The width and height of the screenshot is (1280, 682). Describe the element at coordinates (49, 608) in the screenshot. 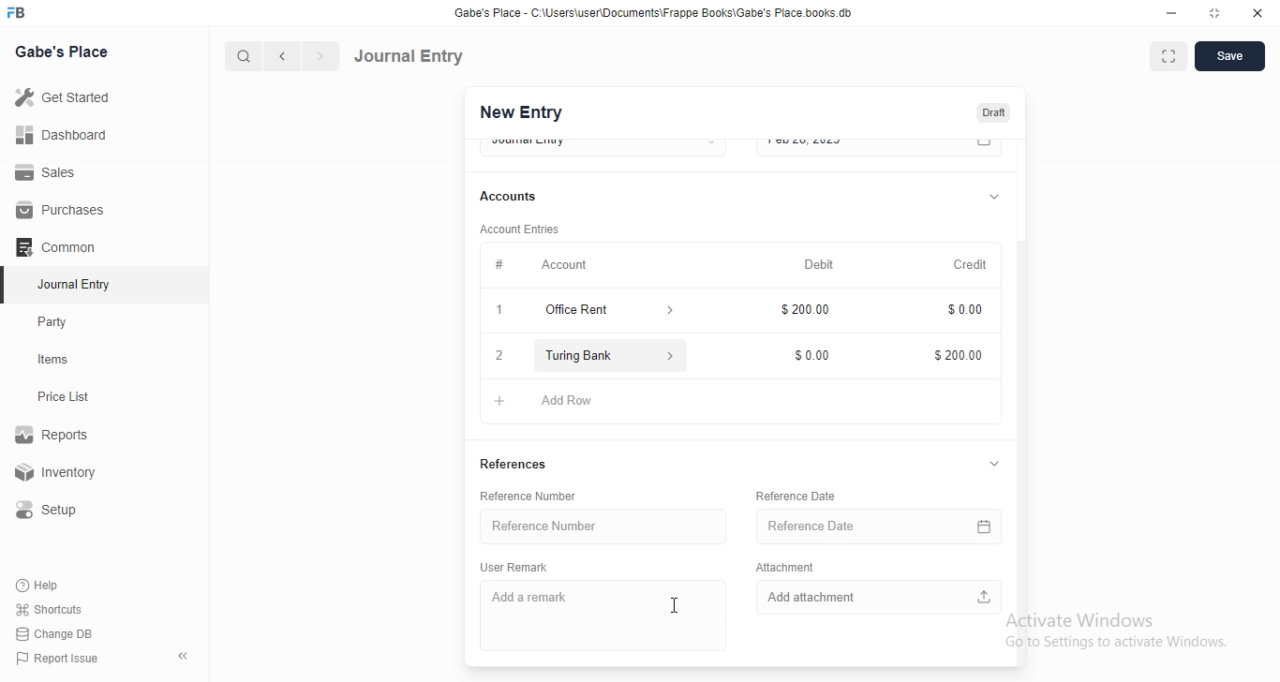

I see `Shortcuts` at that location.